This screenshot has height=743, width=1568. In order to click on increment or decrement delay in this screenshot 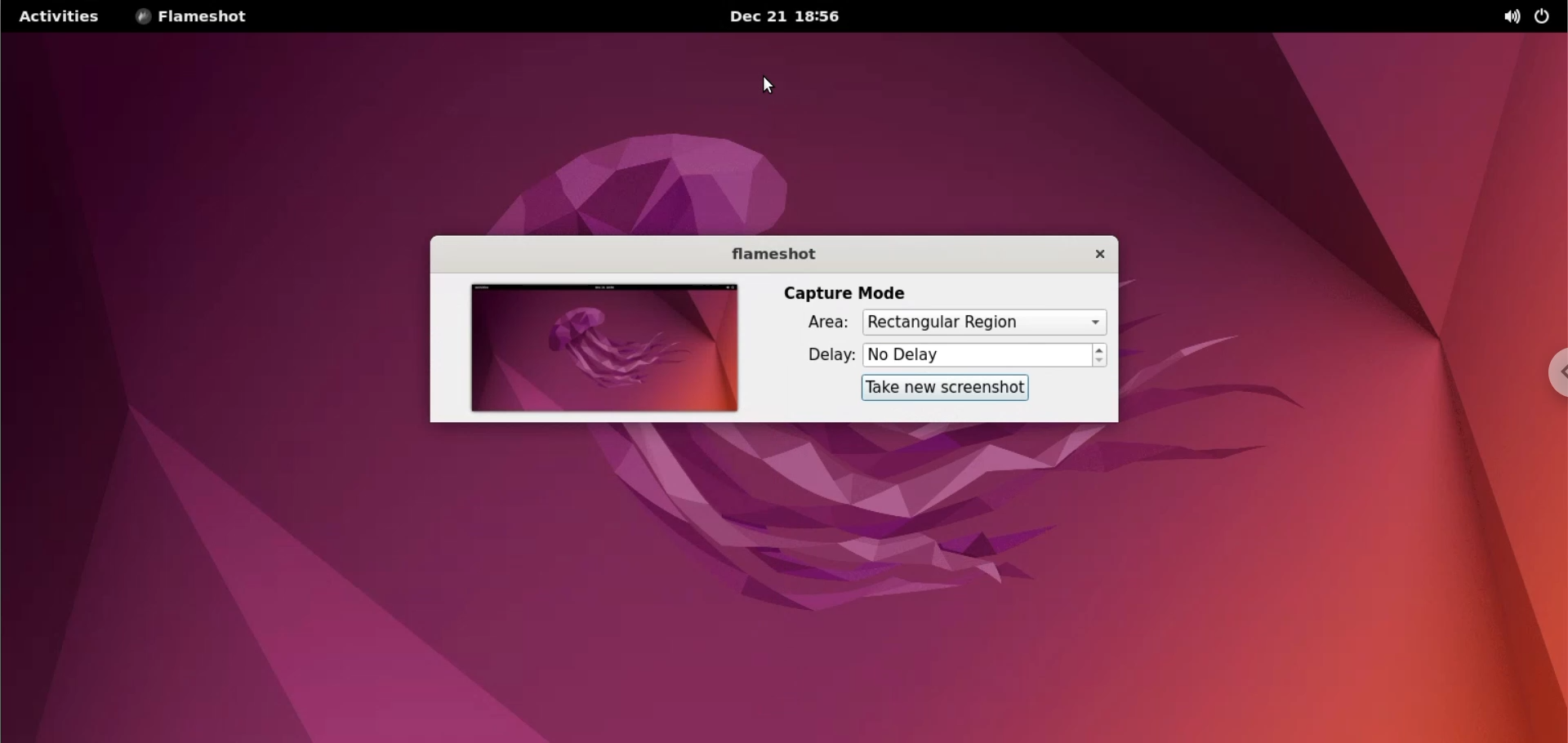, I will do `click(1100, 356)`.